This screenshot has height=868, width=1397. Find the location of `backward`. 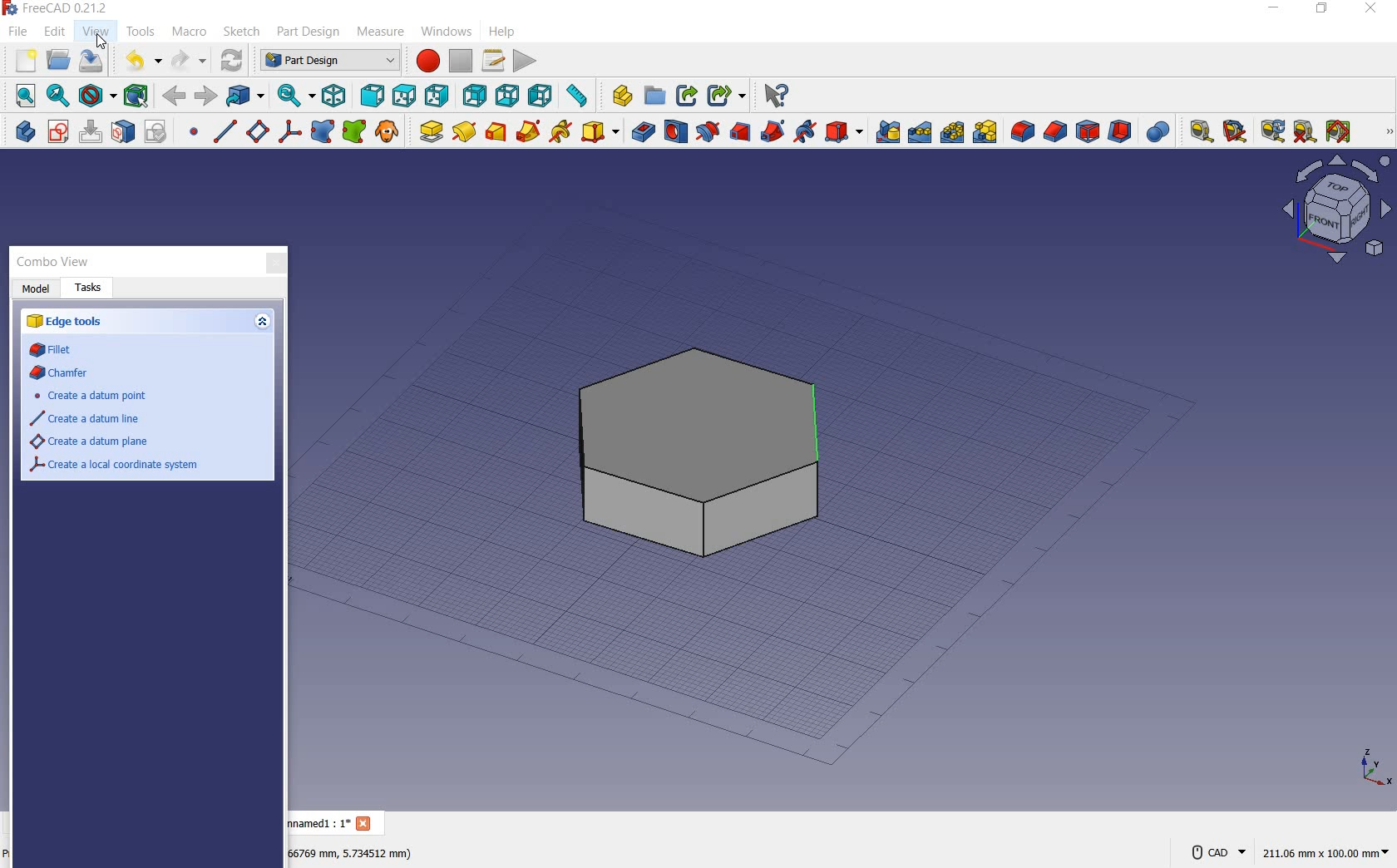

backward is located at coordinates (175, 96).